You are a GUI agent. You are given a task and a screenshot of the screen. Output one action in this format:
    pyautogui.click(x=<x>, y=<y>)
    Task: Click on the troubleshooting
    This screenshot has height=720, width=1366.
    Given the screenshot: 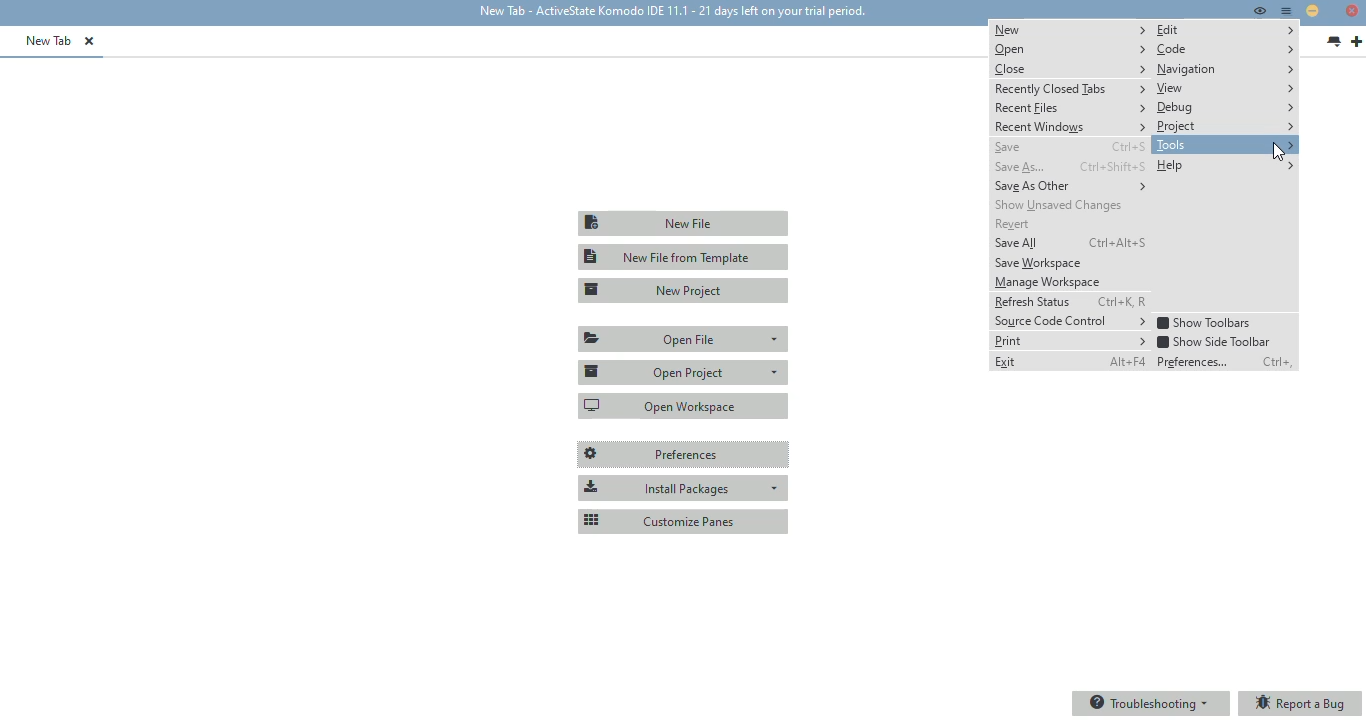 What is the action you would take?
    pyautogui.click(x=1150, y=703)
    